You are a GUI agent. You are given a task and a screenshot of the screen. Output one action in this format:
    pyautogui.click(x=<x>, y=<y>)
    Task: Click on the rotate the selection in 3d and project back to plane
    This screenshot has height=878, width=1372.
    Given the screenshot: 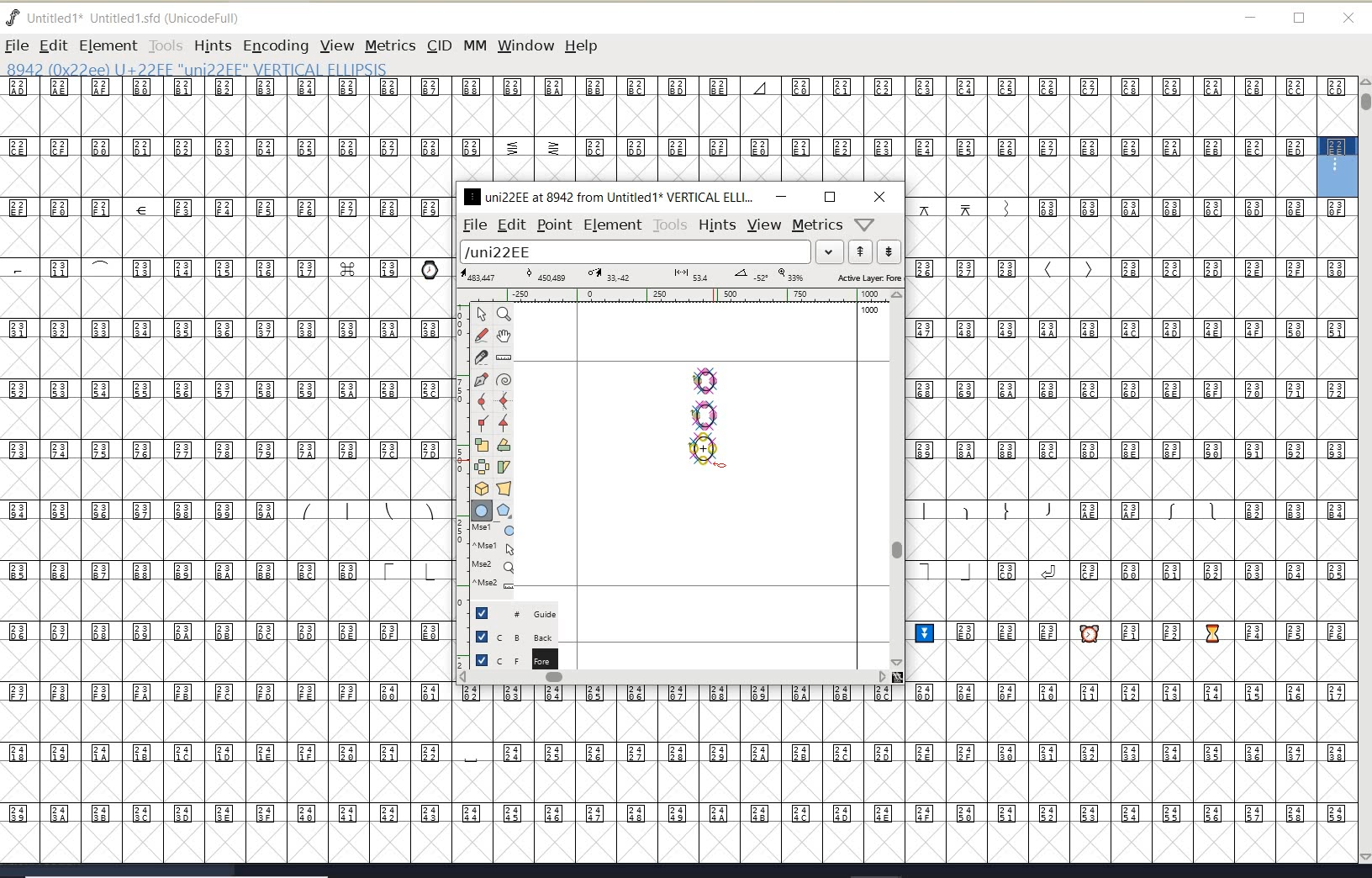 What is the action you would take?
    pyautogui.click(x=482, y=489)
    